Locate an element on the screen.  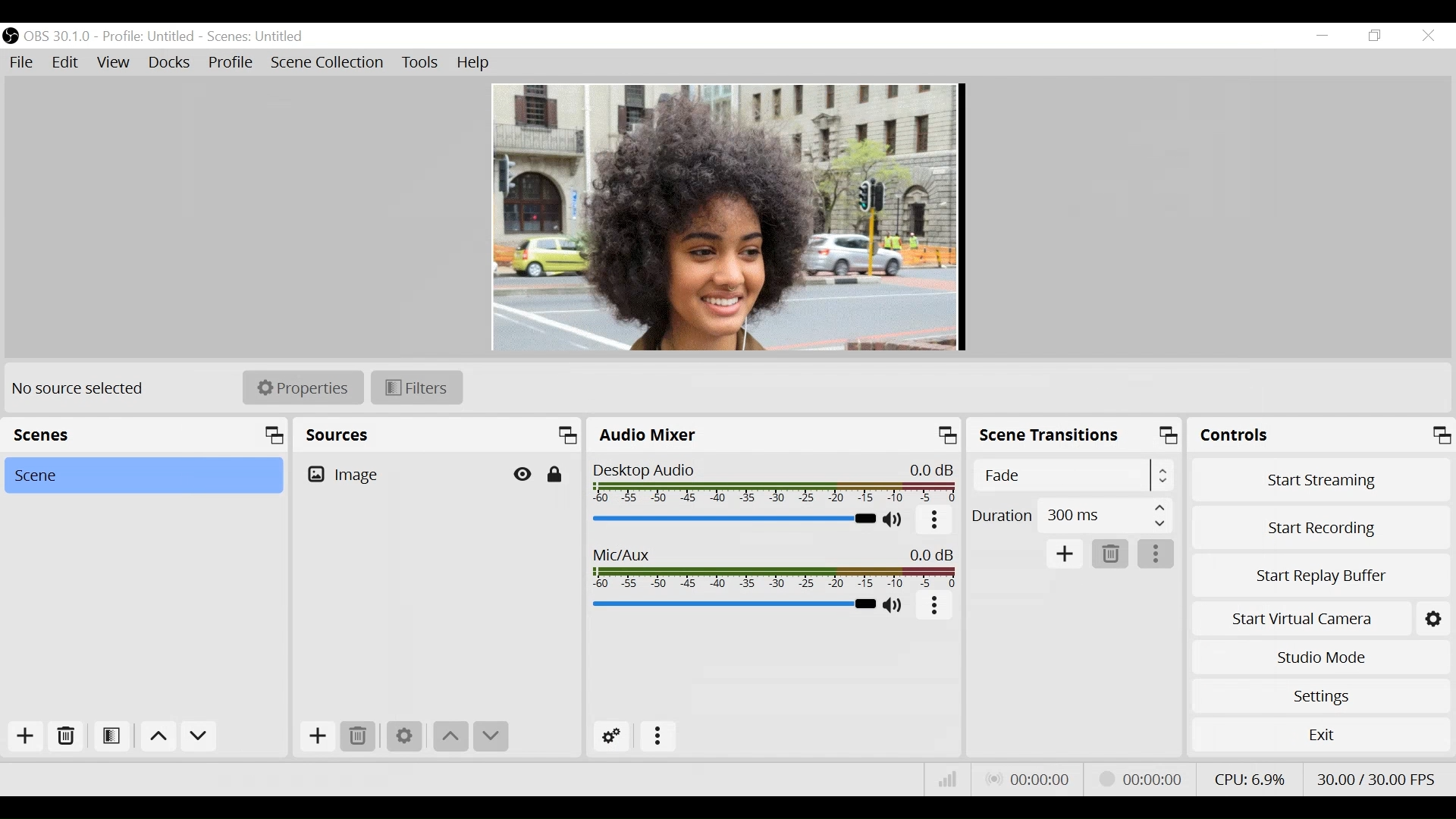
Minimize is located at coordinates (1323, 36).